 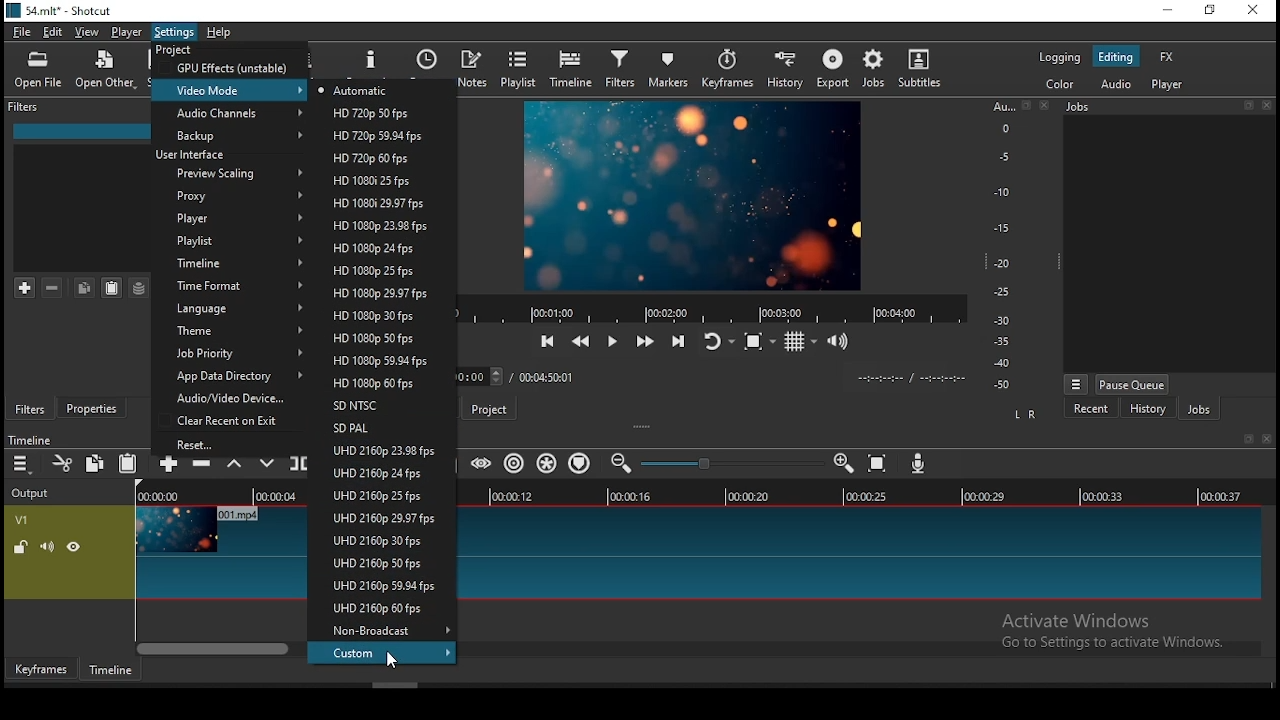 What do you see at coordinates (1027, 415) in the screenshot?
I see `L R` at bounding box center [1027, 415].